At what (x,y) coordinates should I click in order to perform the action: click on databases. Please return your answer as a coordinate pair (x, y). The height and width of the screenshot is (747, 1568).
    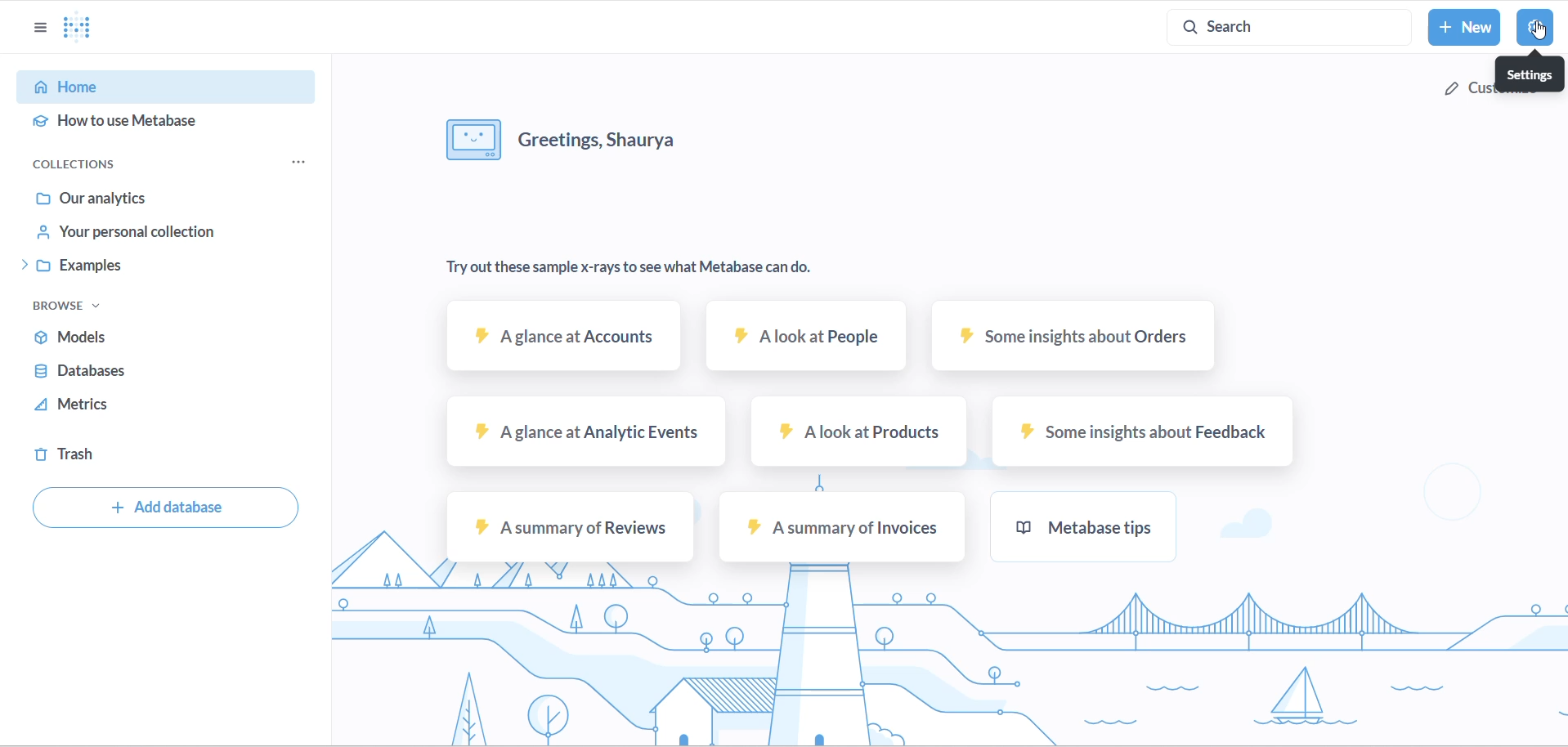
    Looking at the image, I should click on (121, 373).